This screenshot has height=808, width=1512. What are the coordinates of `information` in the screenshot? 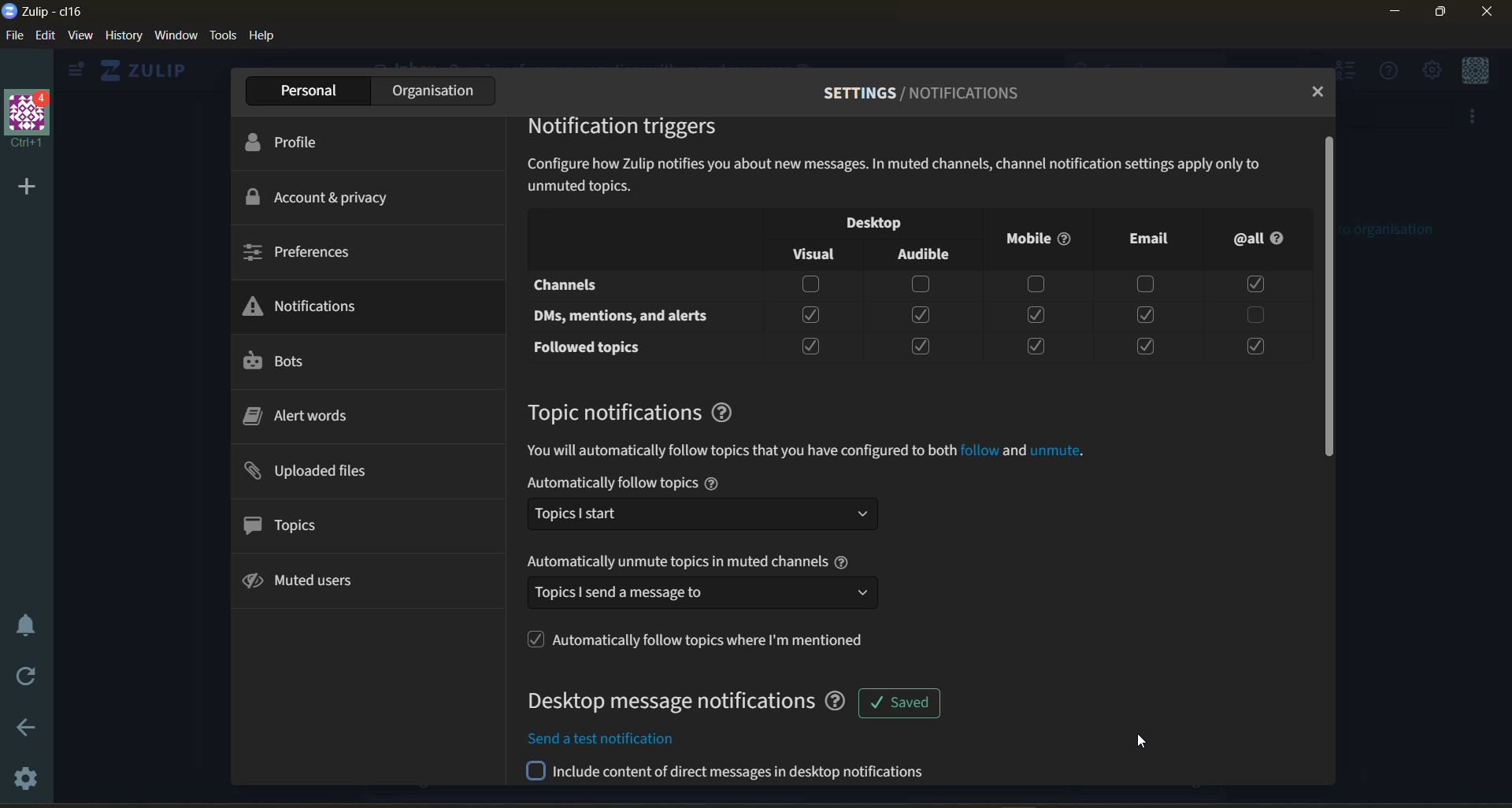 It's located at (908, 174).